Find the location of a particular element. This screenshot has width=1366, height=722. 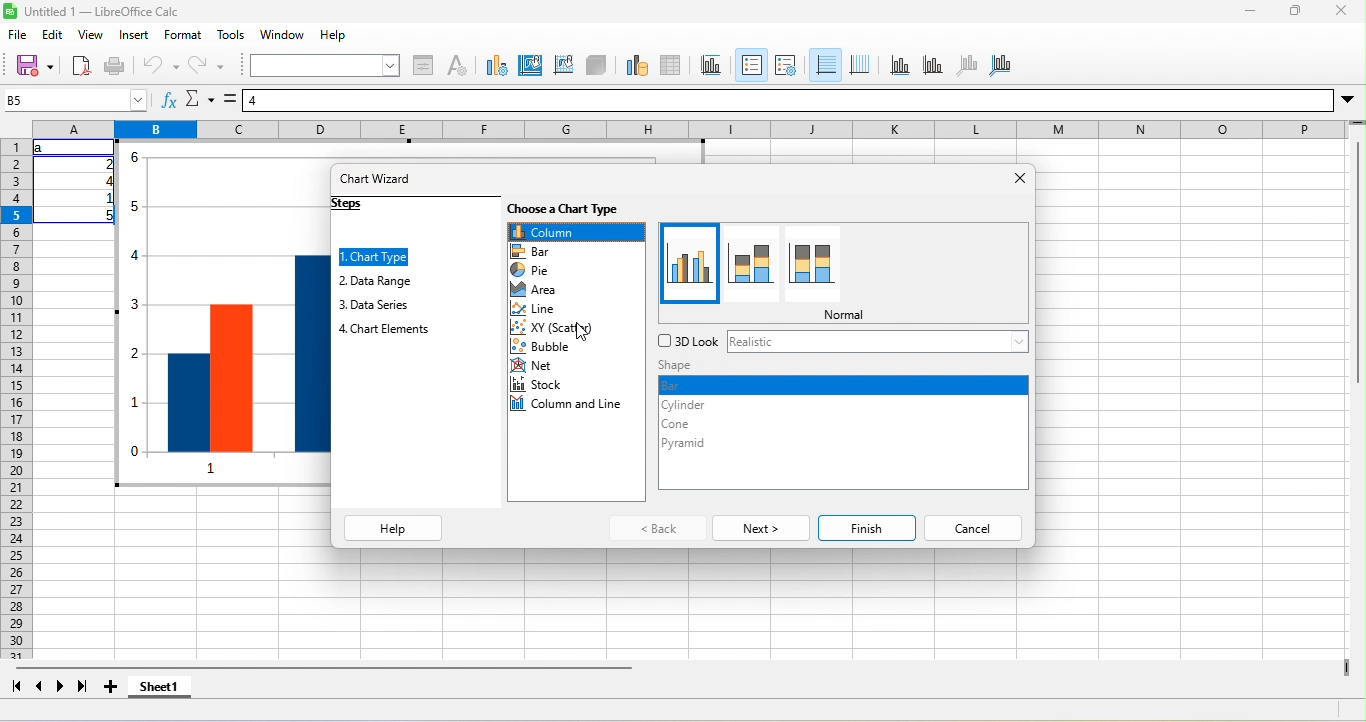

chart element is located at coordinates (385, 329).